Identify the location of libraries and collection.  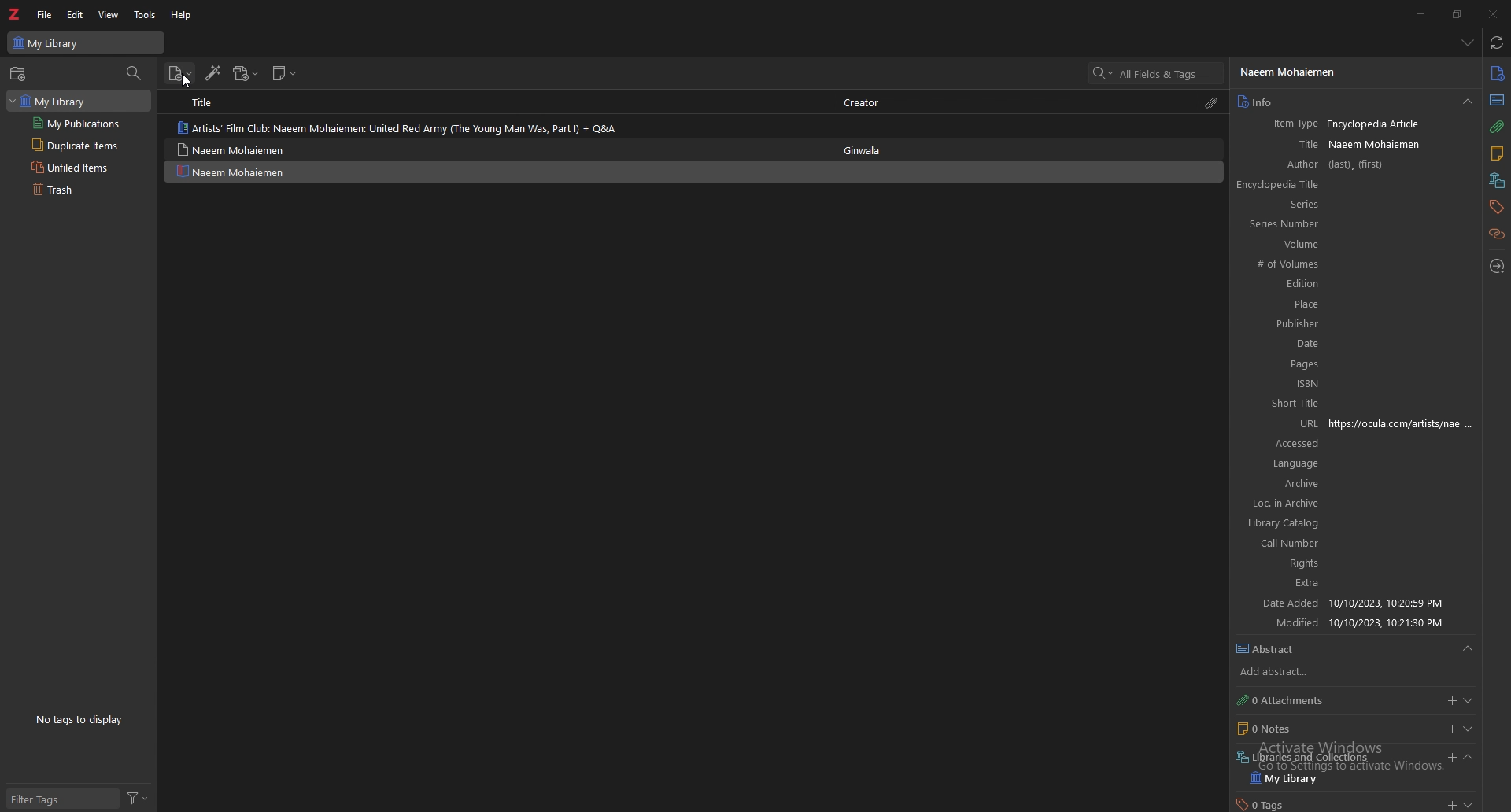
(1336, 753).